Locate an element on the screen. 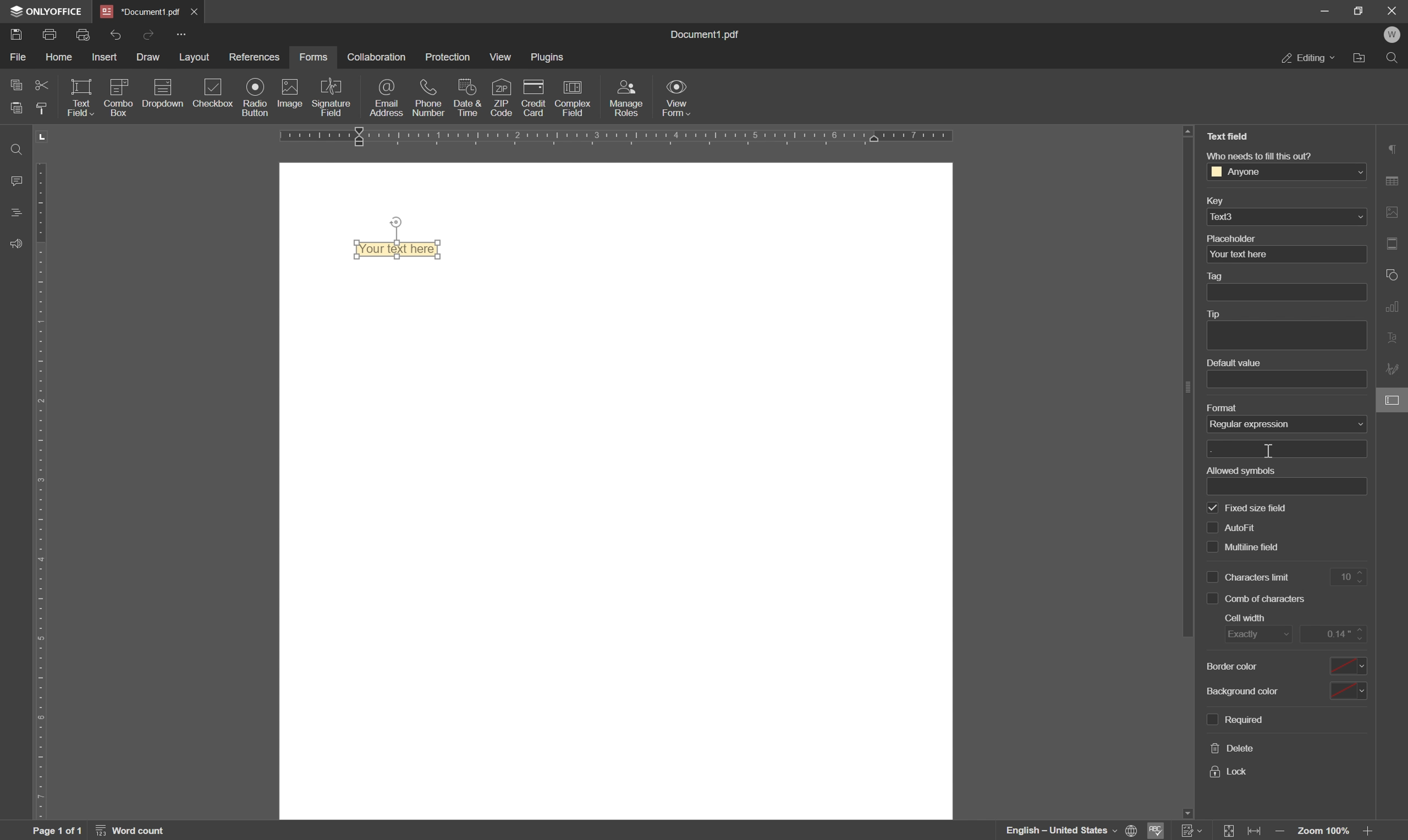 This screenshot has width=1408, height=840. page 1 of 1 is located at coordinates (58, 831).